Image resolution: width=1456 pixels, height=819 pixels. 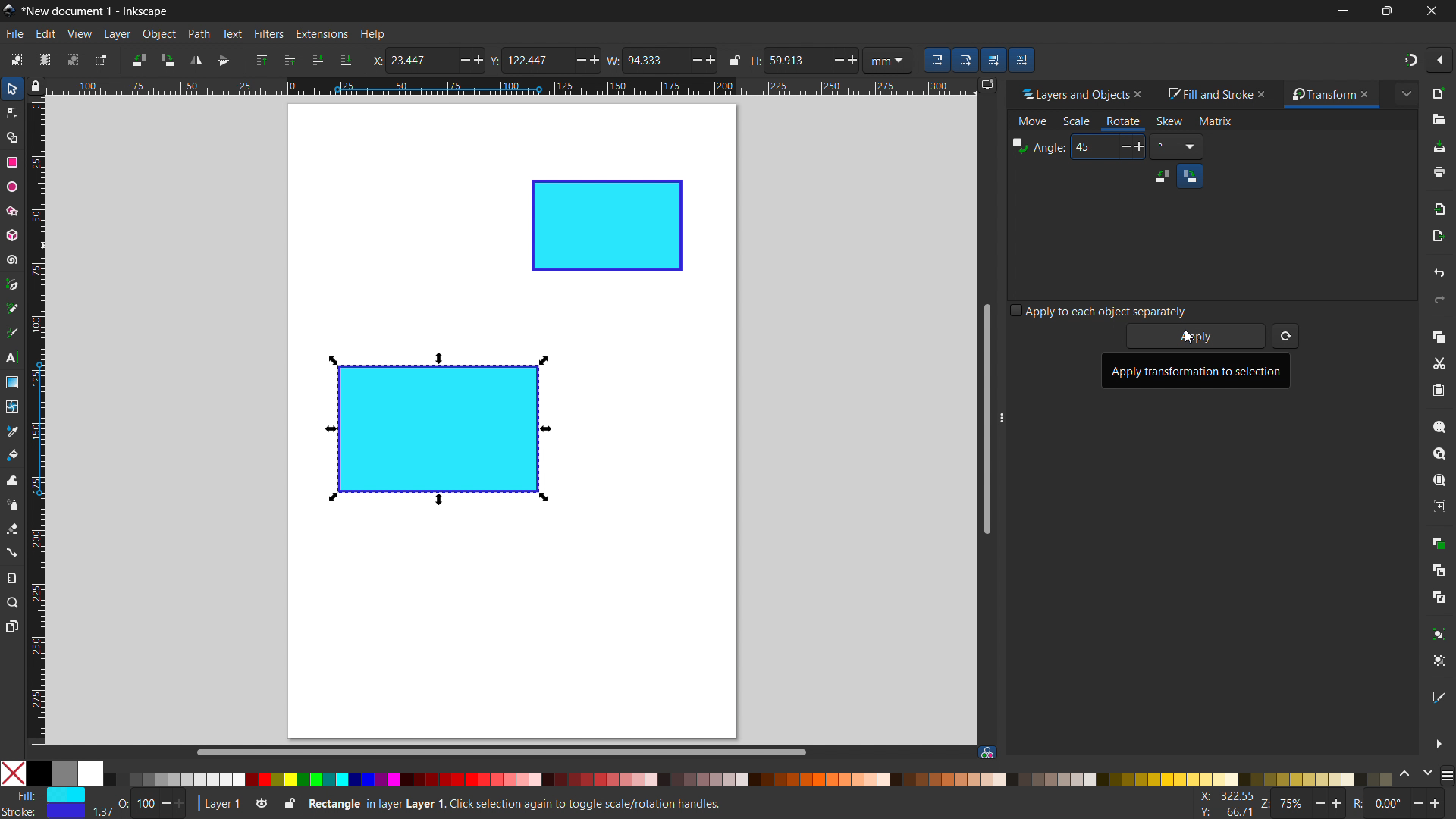 I want to click on close, so click(x=1265, y=93).